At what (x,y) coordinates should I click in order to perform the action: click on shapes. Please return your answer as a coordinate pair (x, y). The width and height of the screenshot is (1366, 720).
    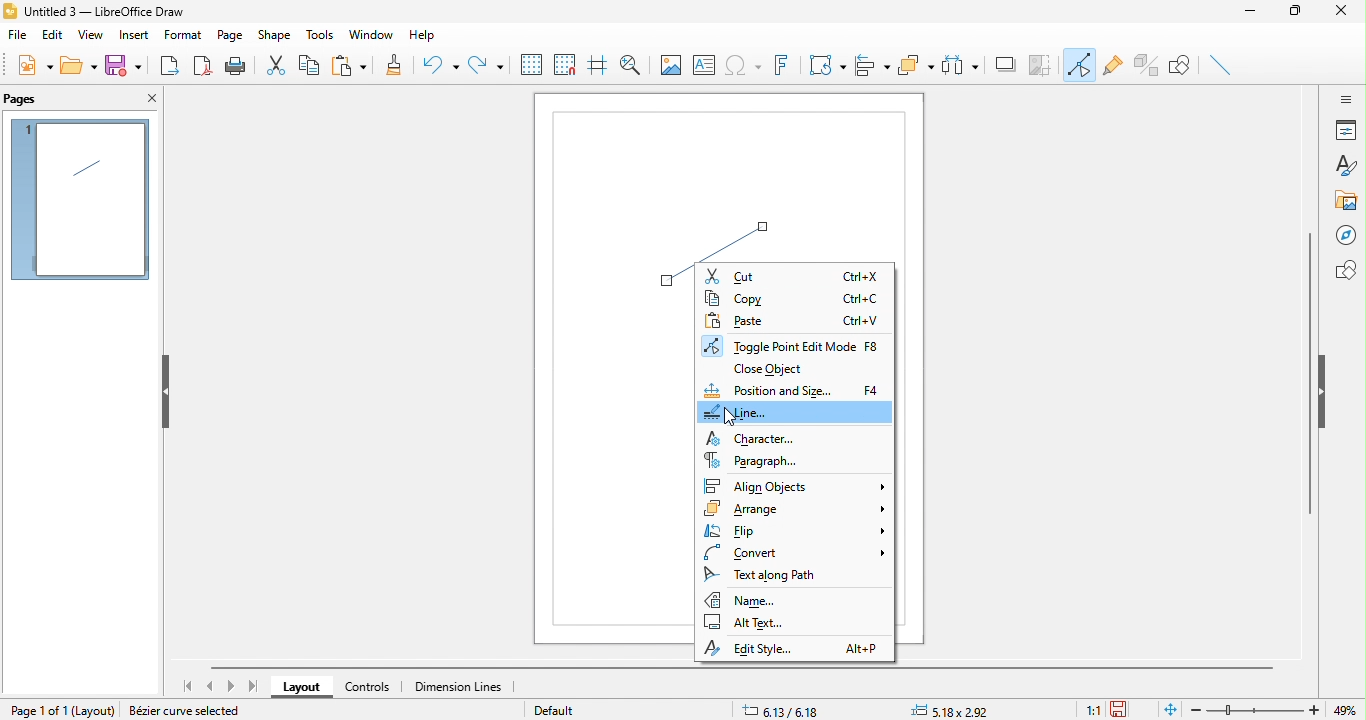
    Looking at the image, I should click on (1345, 270).